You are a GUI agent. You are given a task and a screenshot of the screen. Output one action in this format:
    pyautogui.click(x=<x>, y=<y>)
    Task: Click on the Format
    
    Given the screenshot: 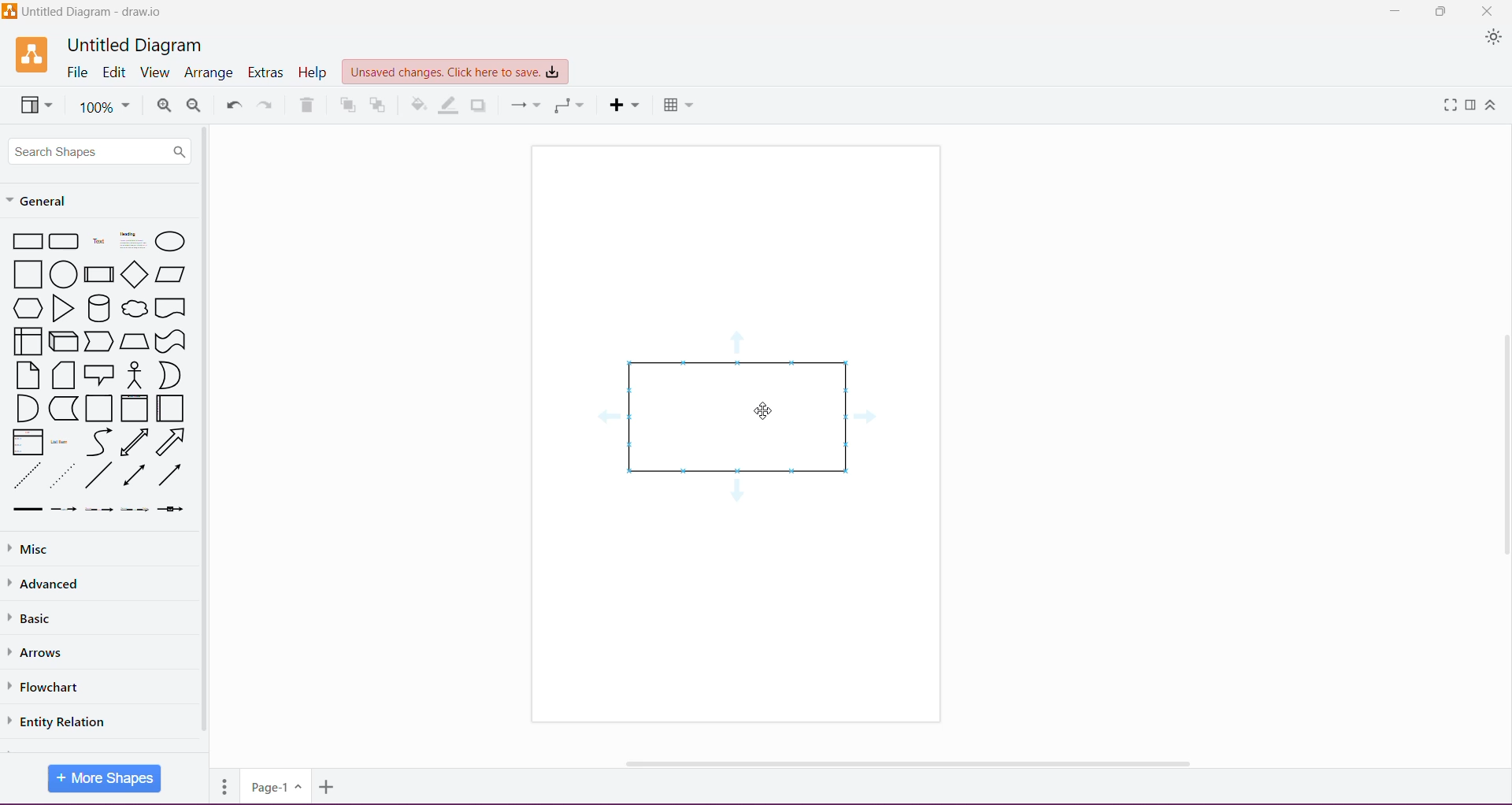 What is the action you would take?
    pyautogui.click(x=1472, y=106)
    